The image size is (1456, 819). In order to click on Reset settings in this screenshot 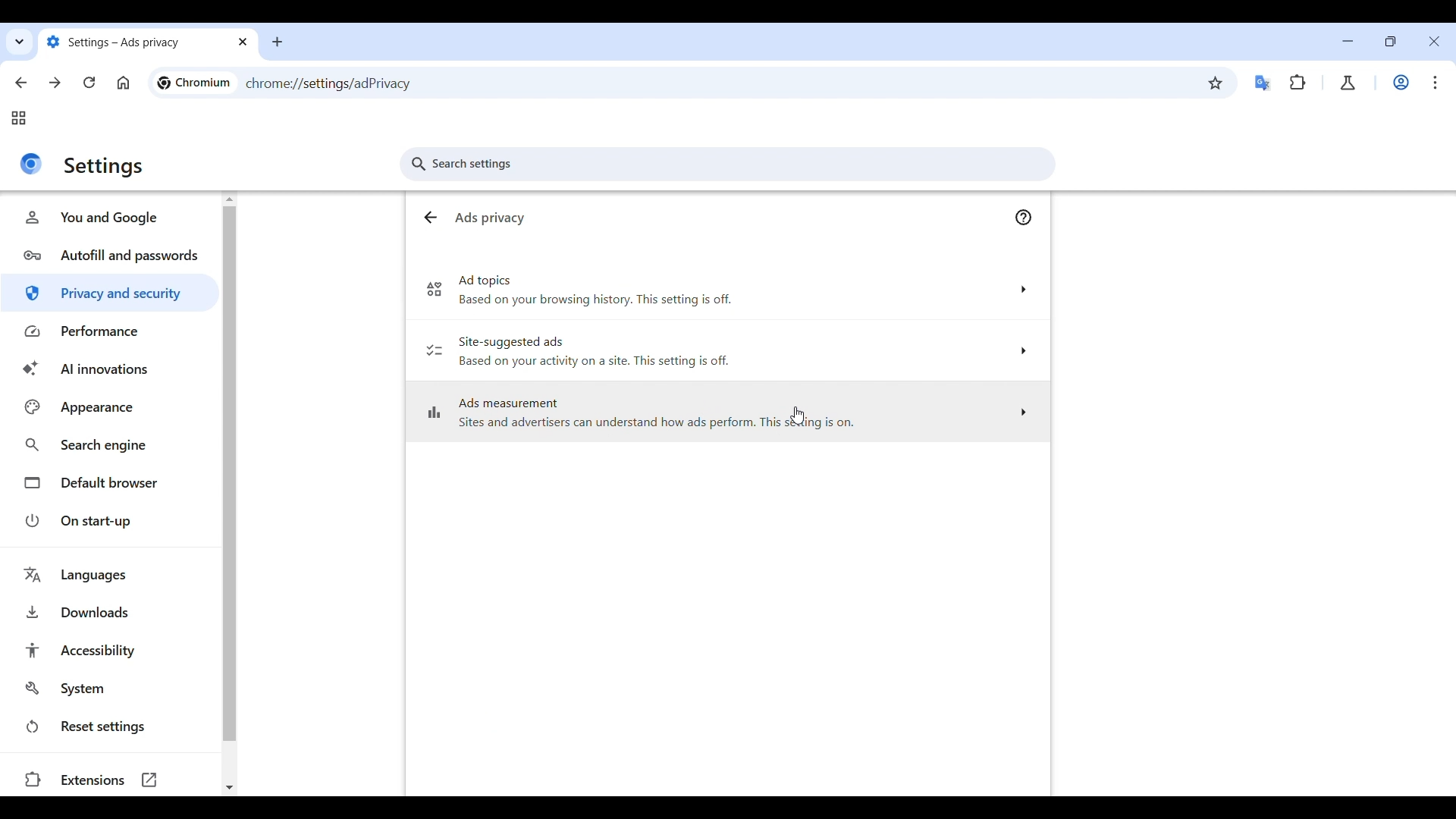, I will do `click(109, 726)`.